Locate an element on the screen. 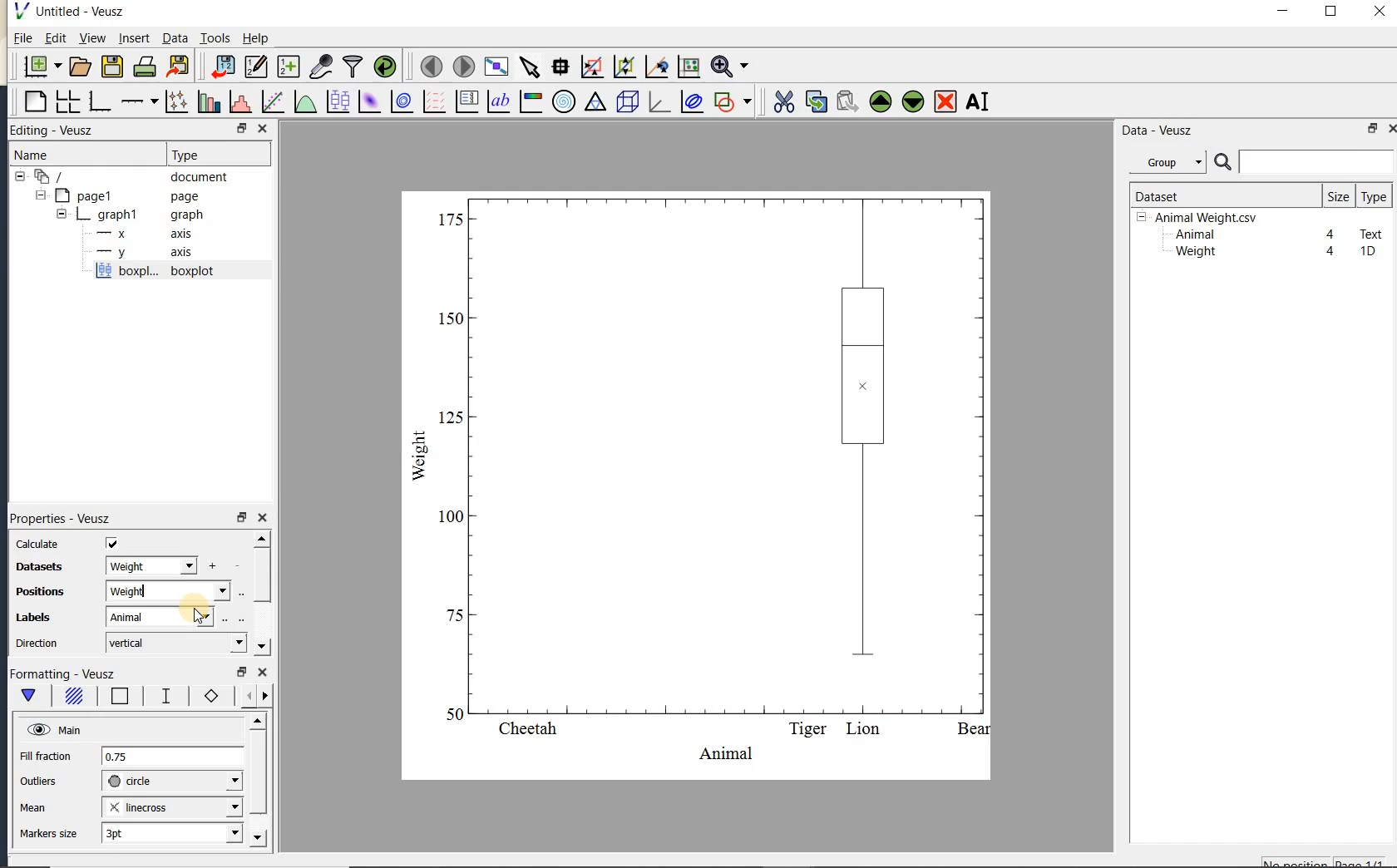 The width and height of the screenshot is (1397, 868). plot key is located at coordinates (465, 101).